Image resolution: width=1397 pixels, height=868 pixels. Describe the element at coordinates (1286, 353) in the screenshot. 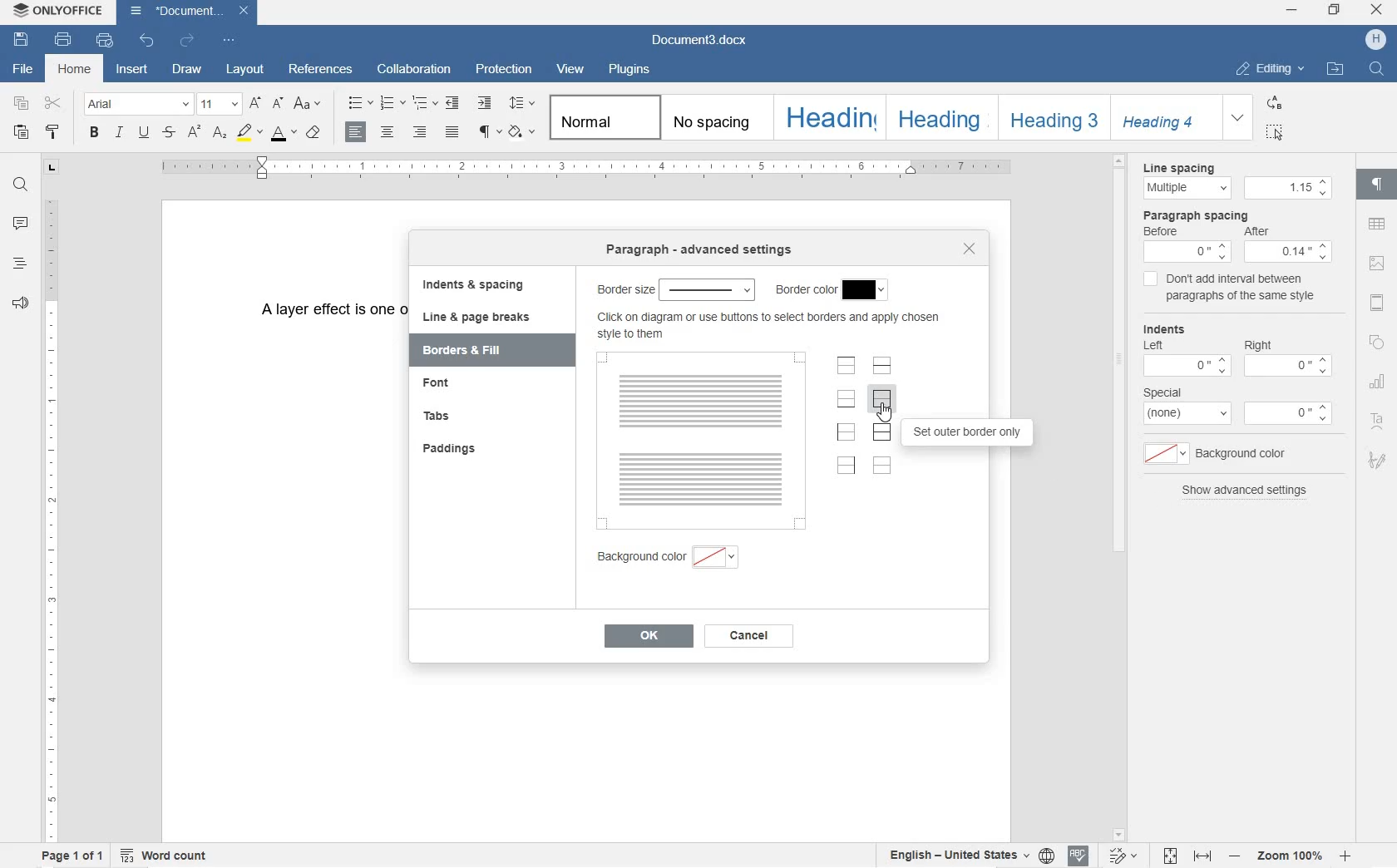

I see `Right` at that location.